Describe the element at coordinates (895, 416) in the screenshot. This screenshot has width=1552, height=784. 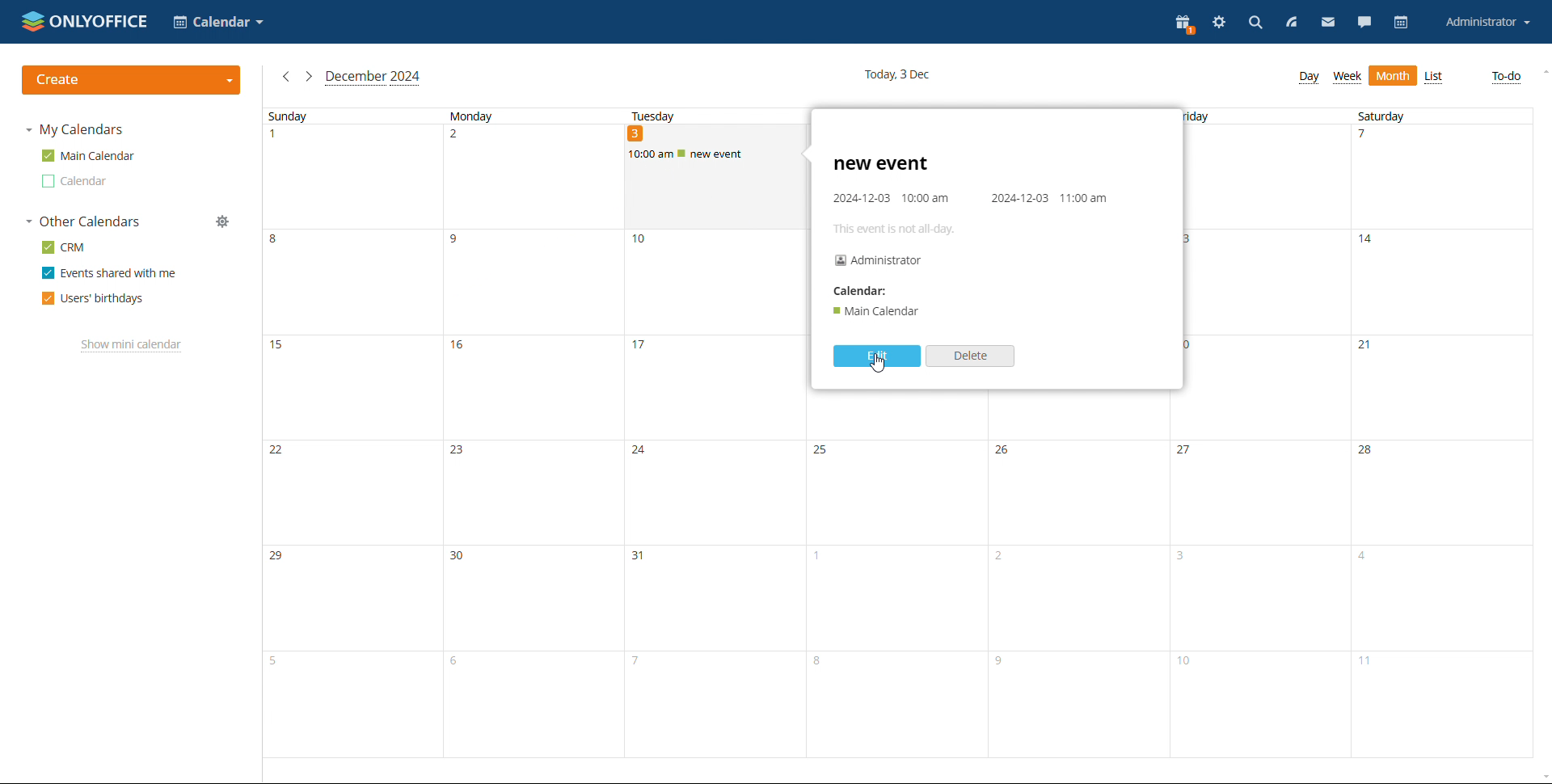
I see `18` at that location.